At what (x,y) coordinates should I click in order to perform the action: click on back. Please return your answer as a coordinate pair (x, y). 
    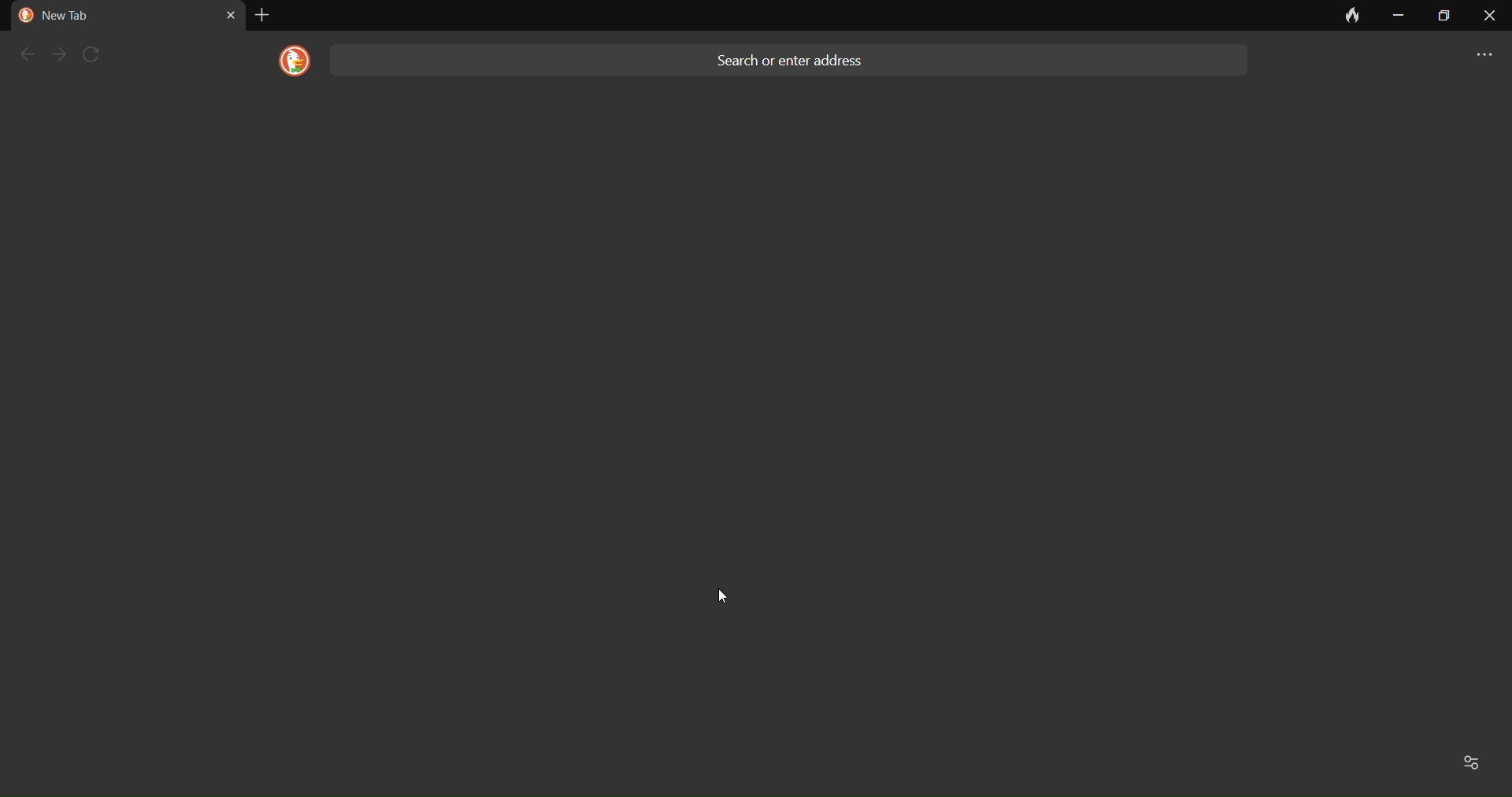
    Looking at the image, I should click on (25, 54).